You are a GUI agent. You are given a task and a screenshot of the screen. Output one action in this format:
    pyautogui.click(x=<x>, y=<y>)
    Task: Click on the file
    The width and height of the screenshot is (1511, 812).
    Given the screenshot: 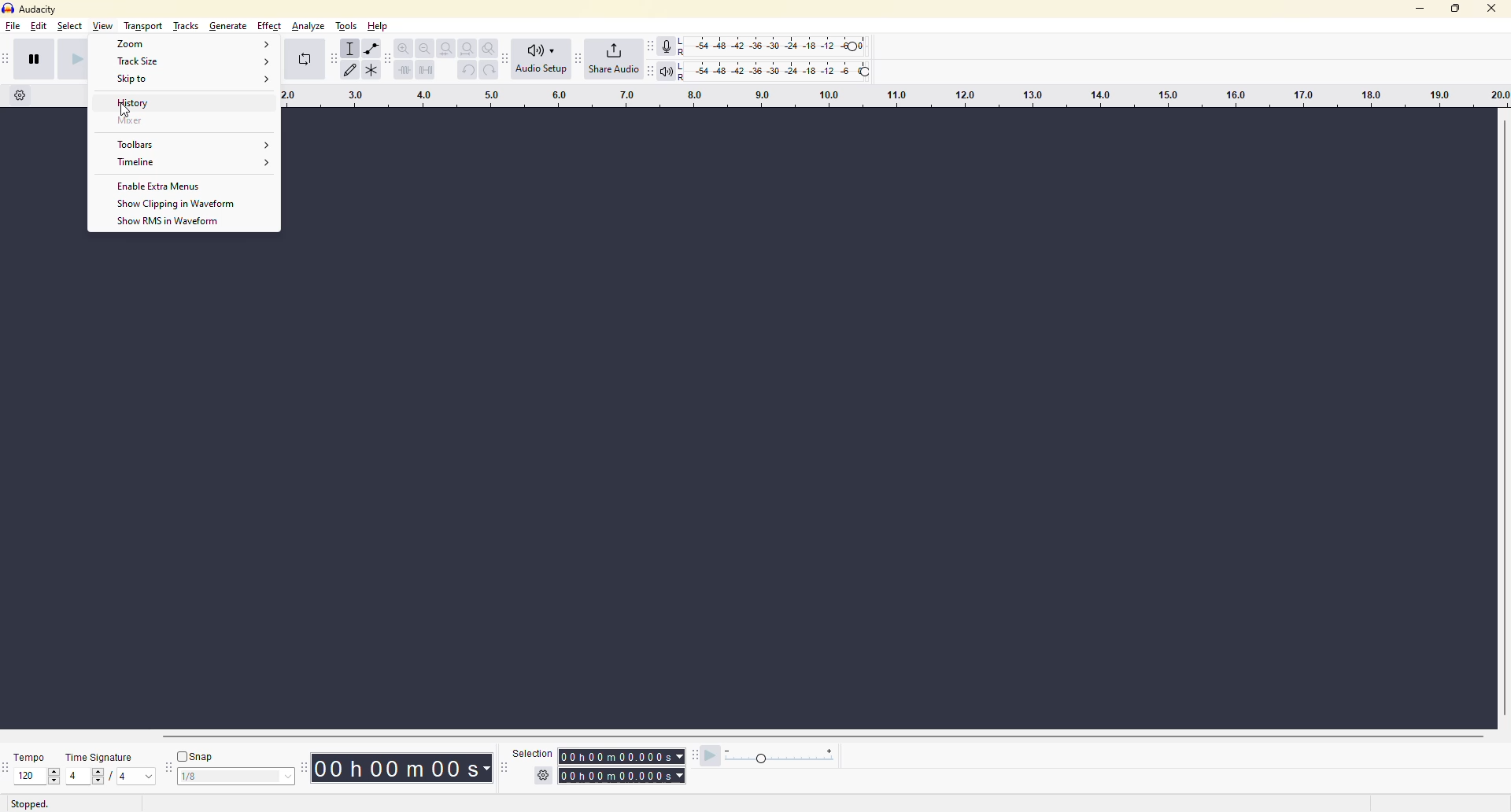 What is the action you would take?
    pyautogui.click(x=14, y=31)
    